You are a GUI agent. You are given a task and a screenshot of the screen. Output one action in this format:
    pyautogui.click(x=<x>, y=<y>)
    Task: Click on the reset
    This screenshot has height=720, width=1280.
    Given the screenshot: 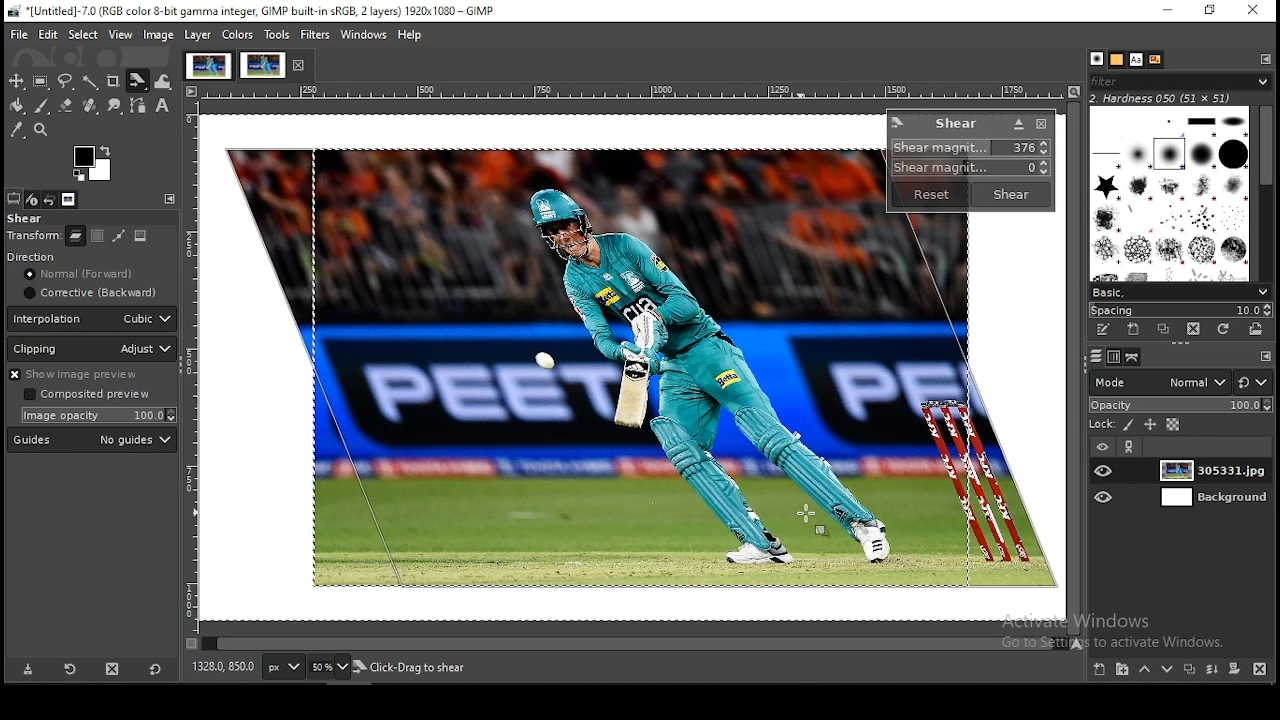 What is the action you would take?
    pyautogui.click(x=930, y=195)
    